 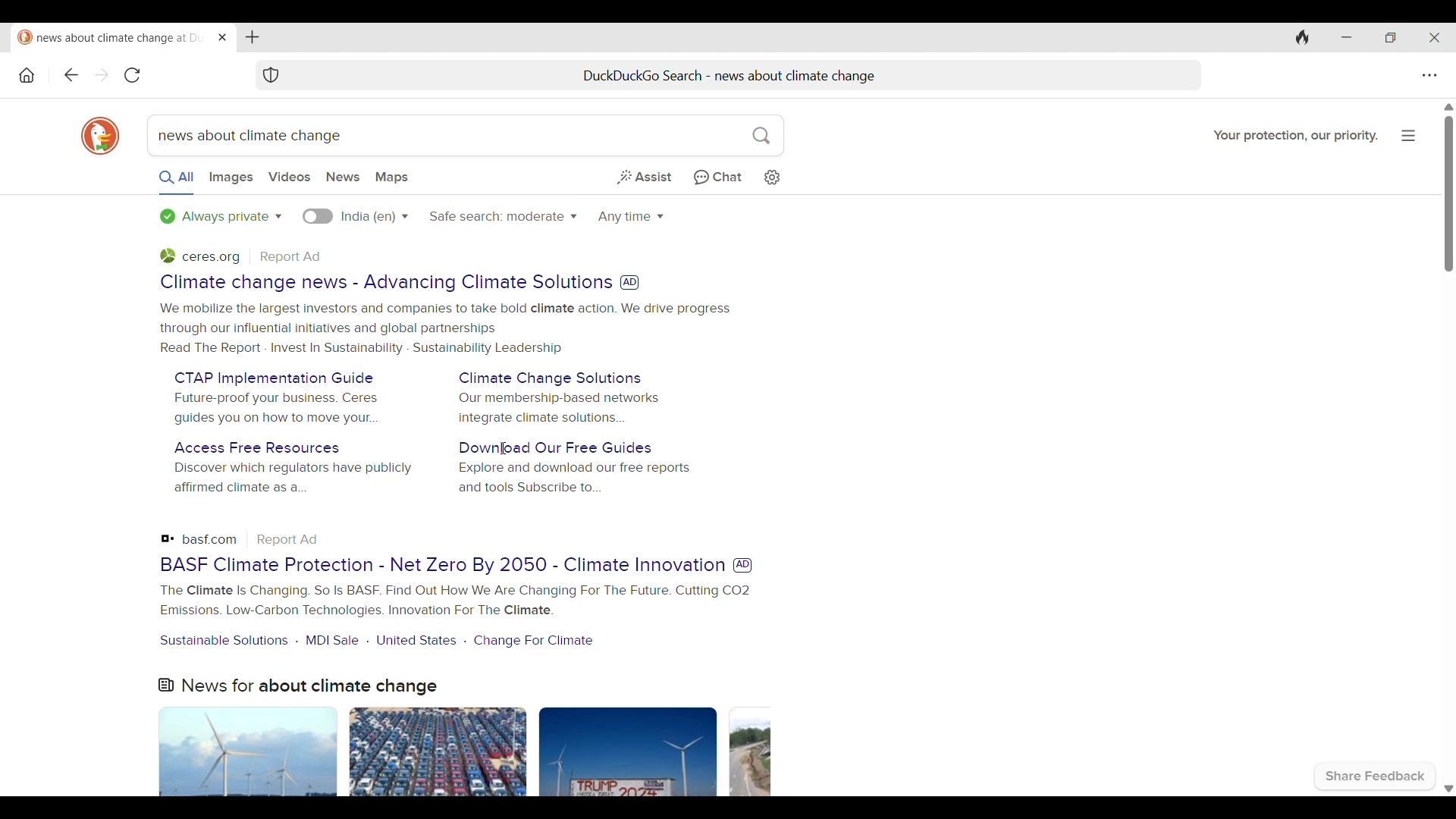 What do you see at coordinates (271, 74) in the screenshot?
I see `Browser protection` at bounding box center [271, 74].